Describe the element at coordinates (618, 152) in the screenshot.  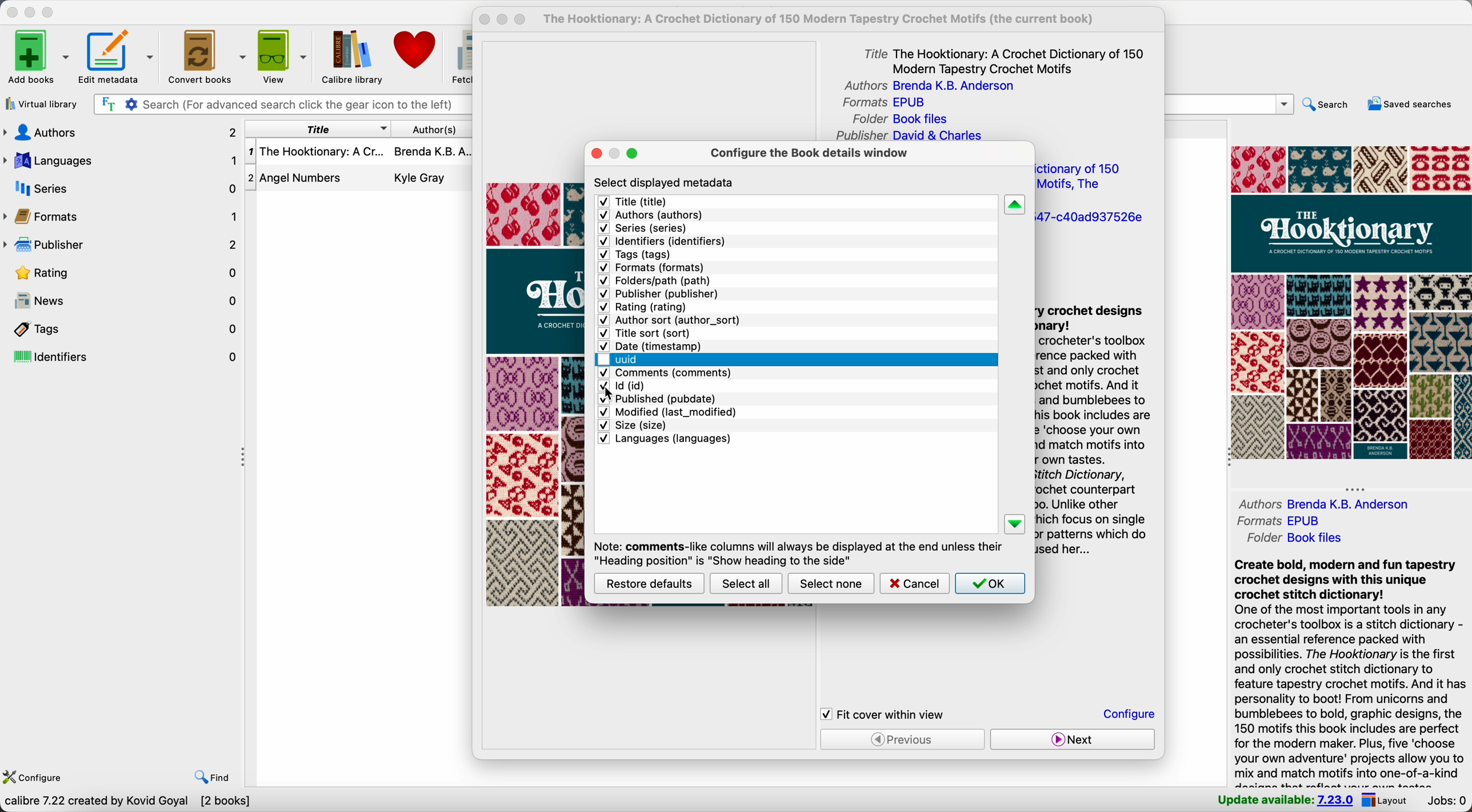
I see `minimize popup` at that location.